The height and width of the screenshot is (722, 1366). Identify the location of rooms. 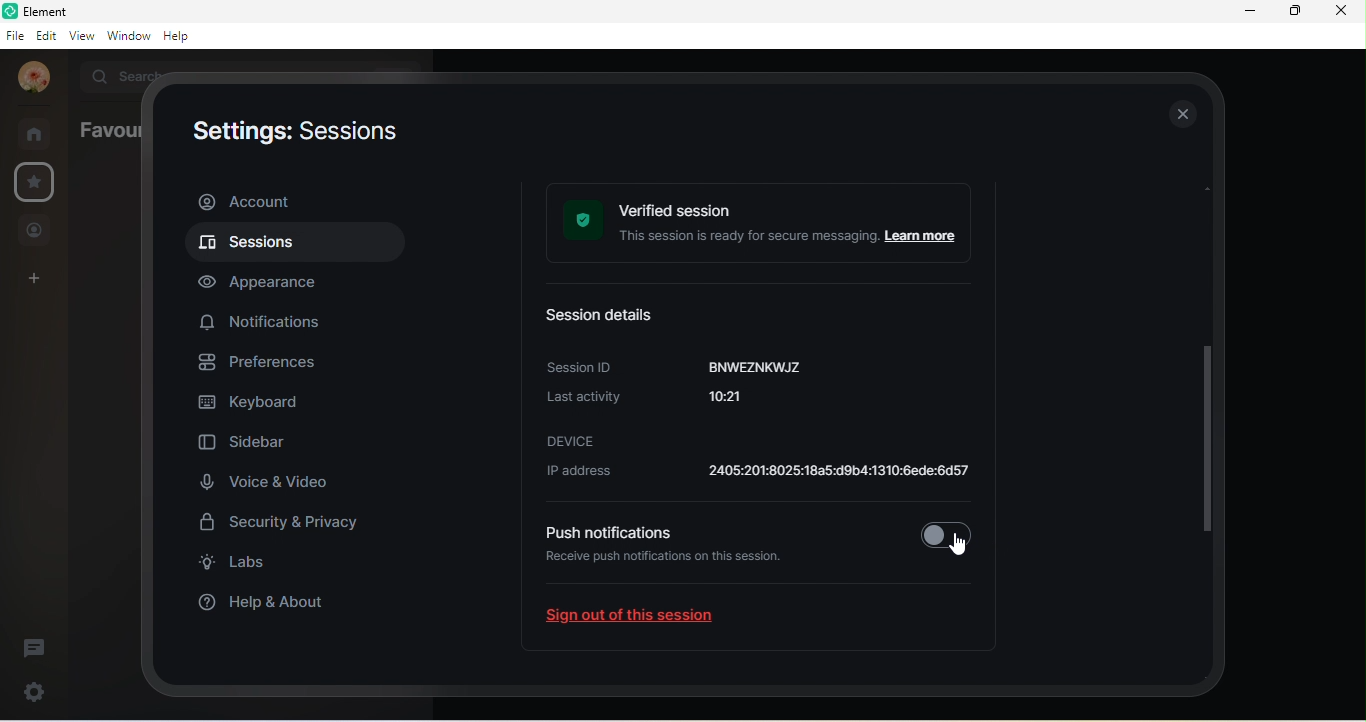
(39, 133).